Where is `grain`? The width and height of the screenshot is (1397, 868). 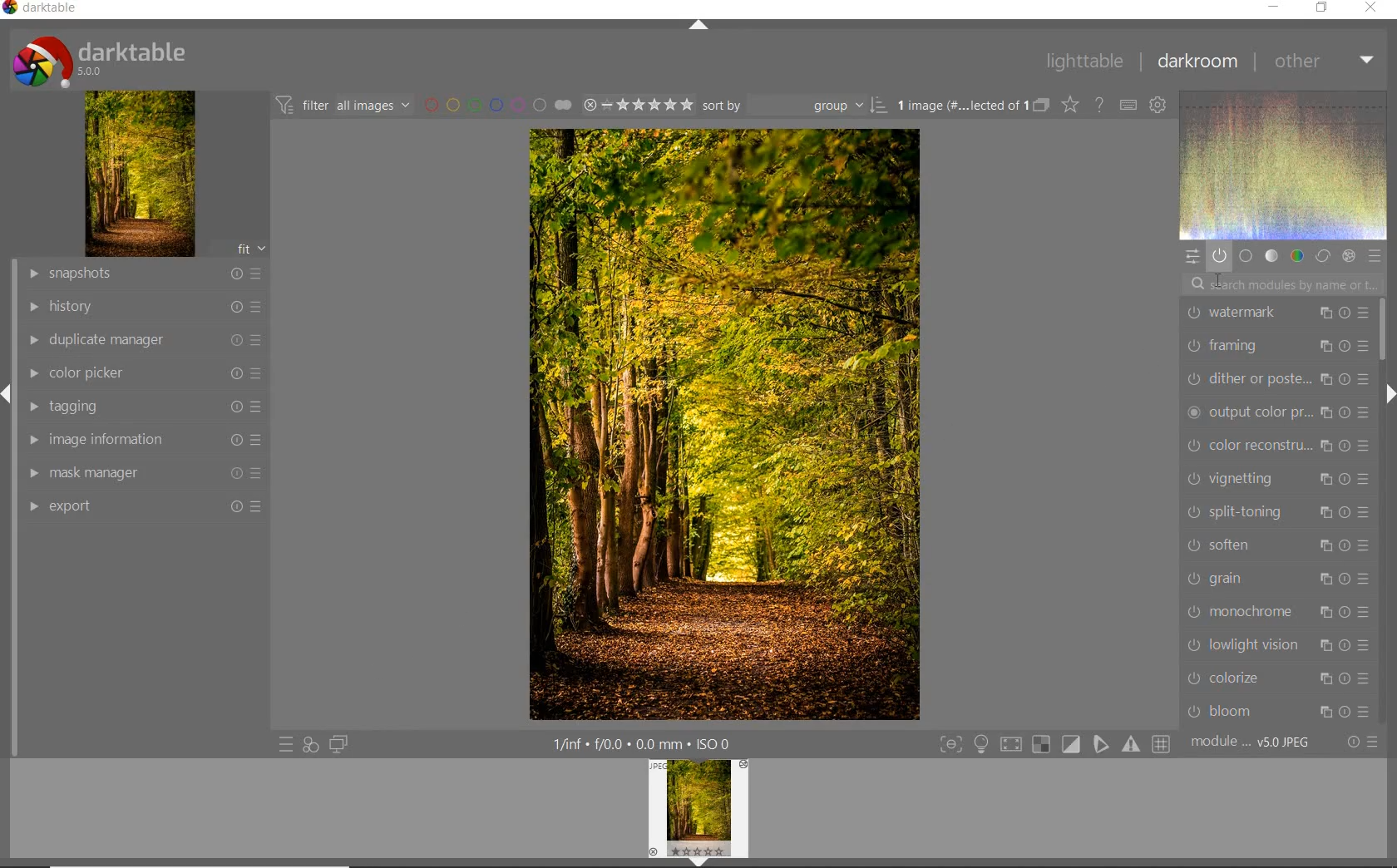 grain is located at coordinates (1277, 579).